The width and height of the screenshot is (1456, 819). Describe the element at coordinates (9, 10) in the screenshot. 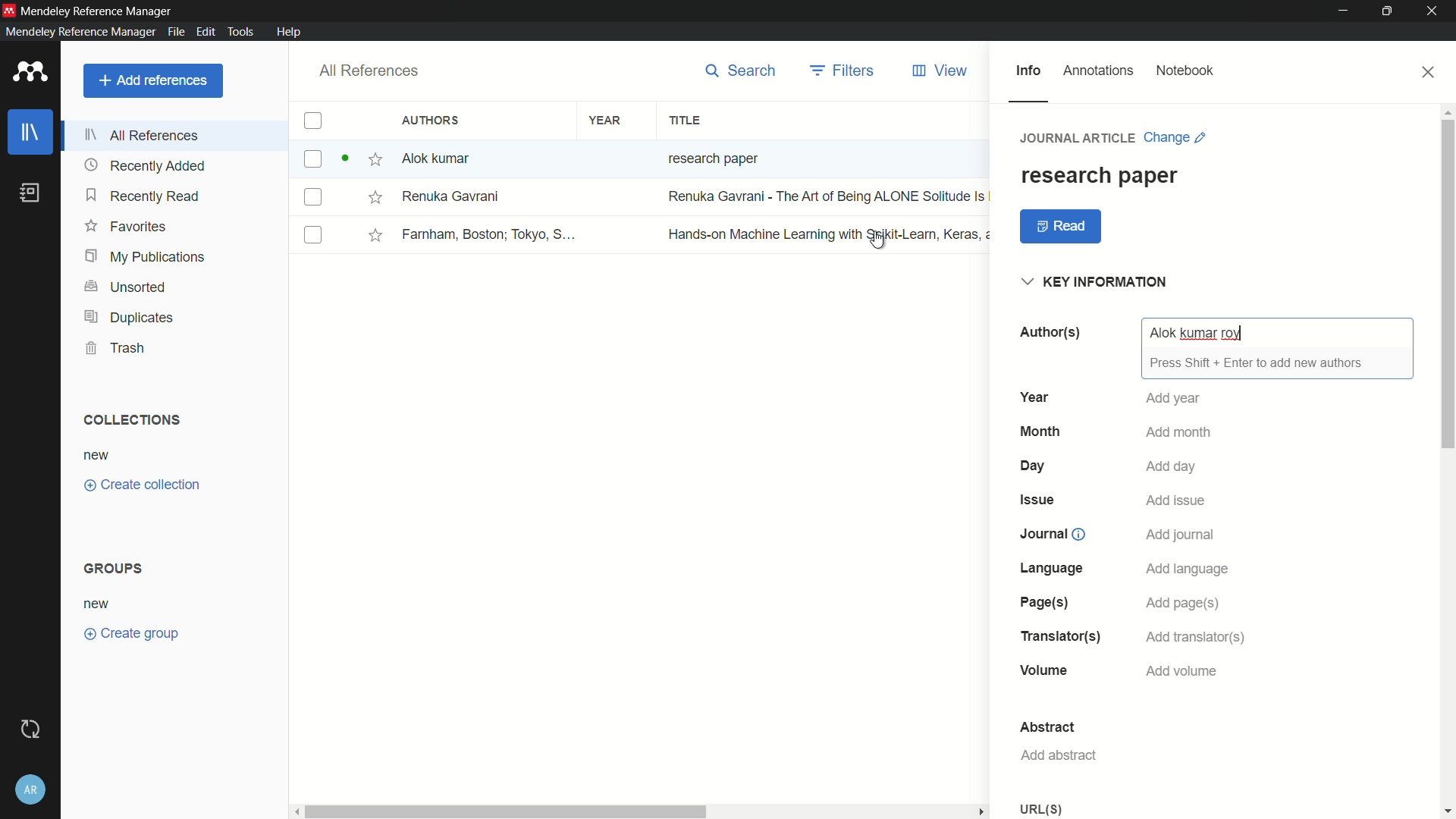

I see `app icon` at that location.